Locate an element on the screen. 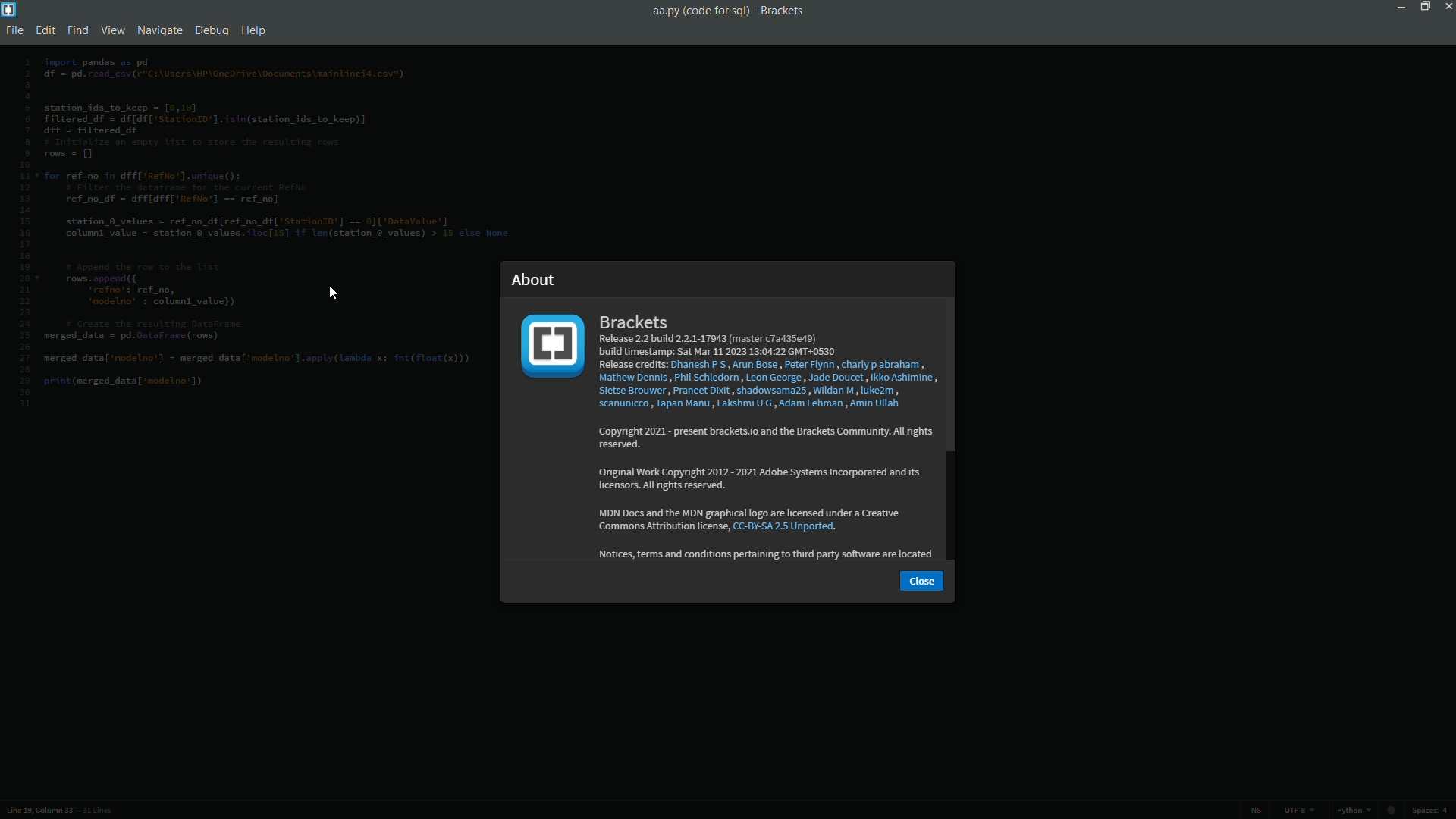 The height and width of the screenshot is (819, 1456). file menu is located at coordinates (16, 29).